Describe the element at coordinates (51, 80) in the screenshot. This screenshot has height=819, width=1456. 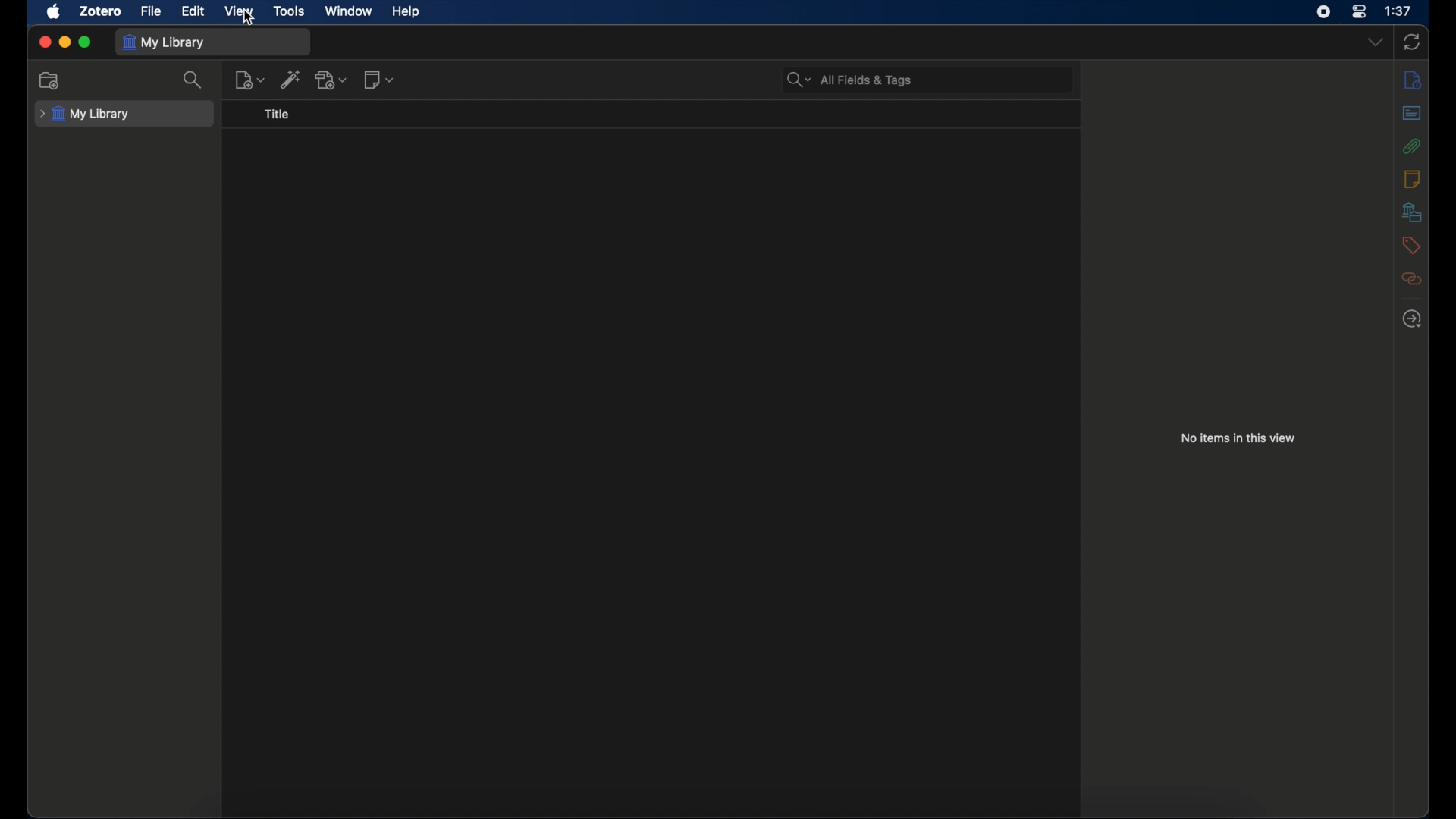
I see `new collection` at that location.